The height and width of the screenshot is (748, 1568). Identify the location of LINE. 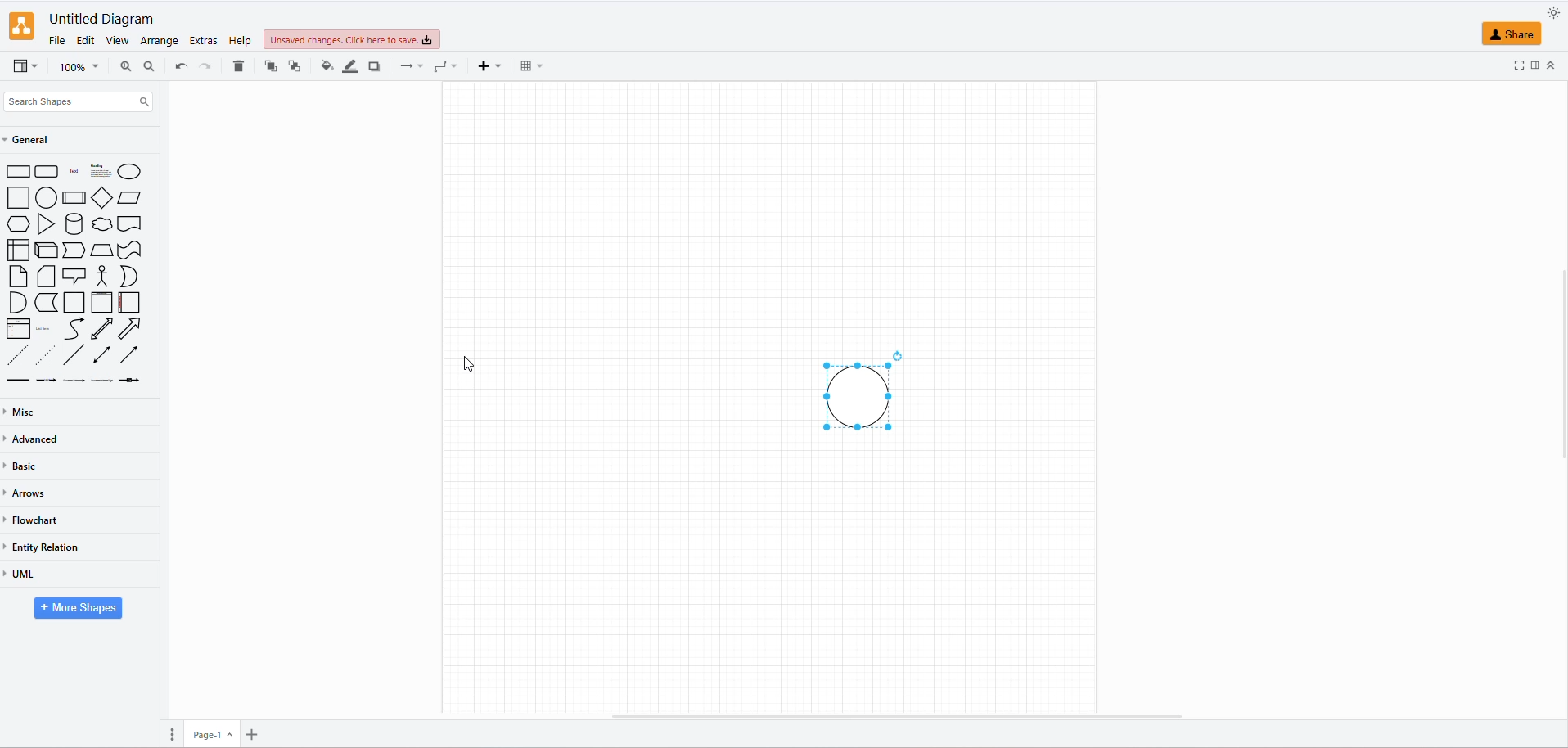
(70, 354).